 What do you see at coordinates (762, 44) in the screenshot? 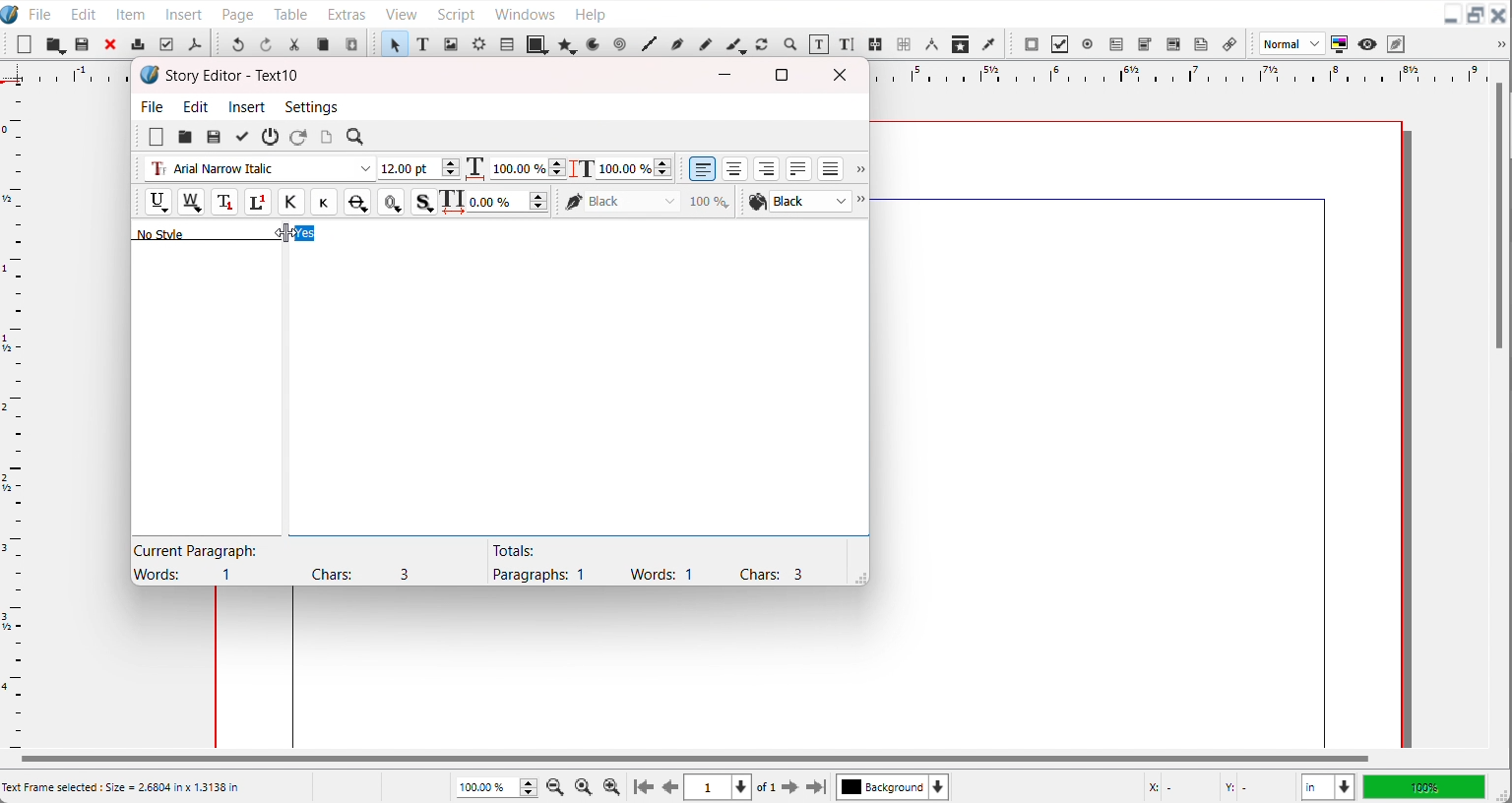
I see `Rotate item` at bounding box center [762, 44].